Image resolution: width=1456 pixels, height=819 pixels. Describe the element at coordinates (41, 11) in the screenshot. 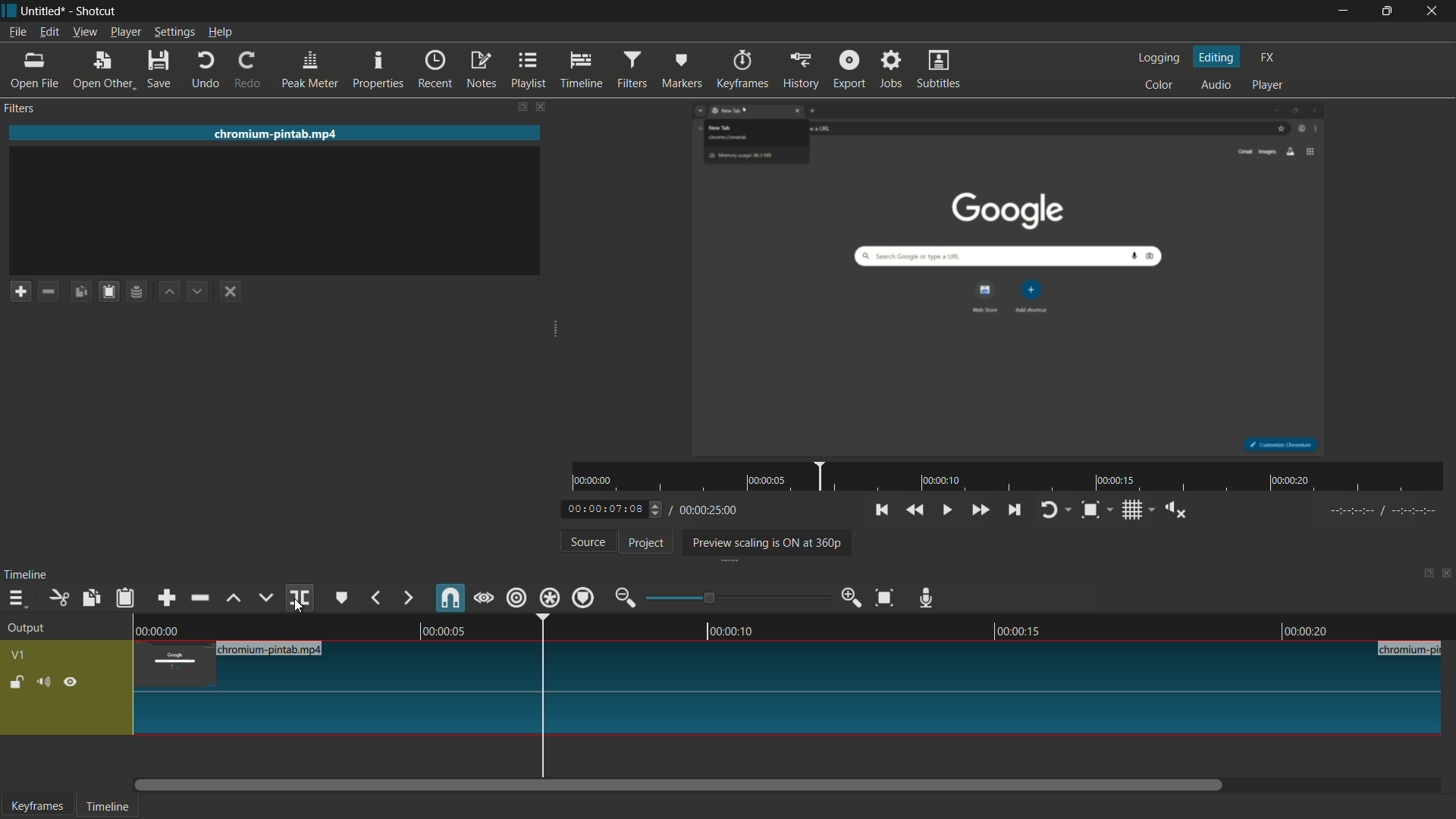

I see `project name` at that location.